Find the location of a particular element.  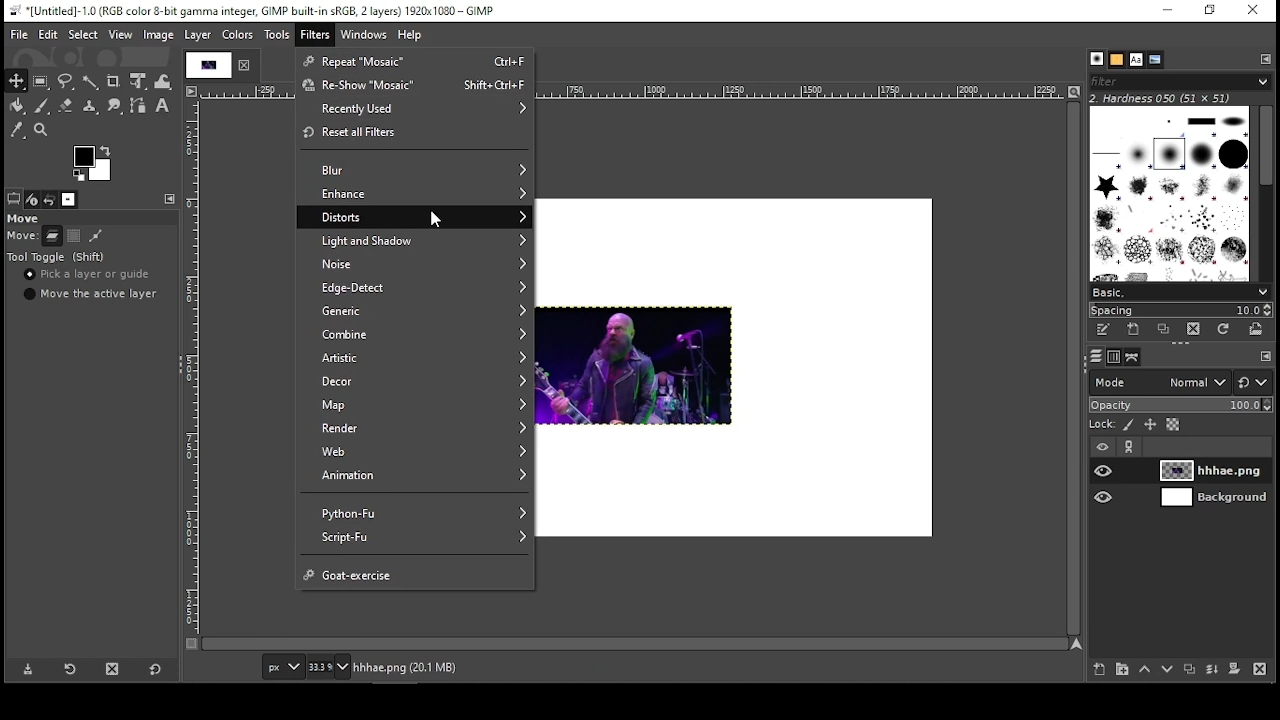

restore tool preset is located at coordinates (70, 669).